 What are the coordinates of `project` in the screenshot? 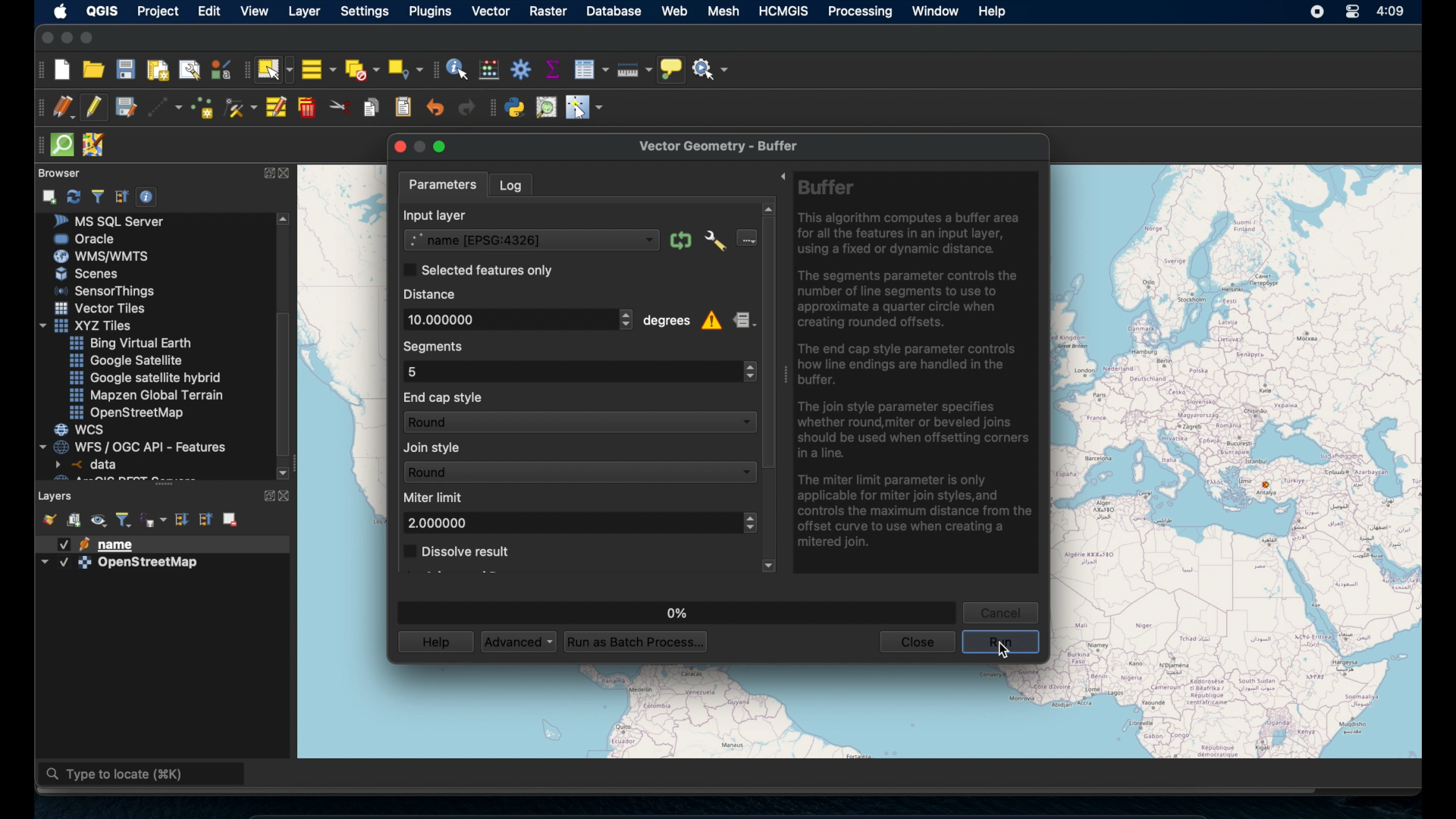 It's located at (161, 11).